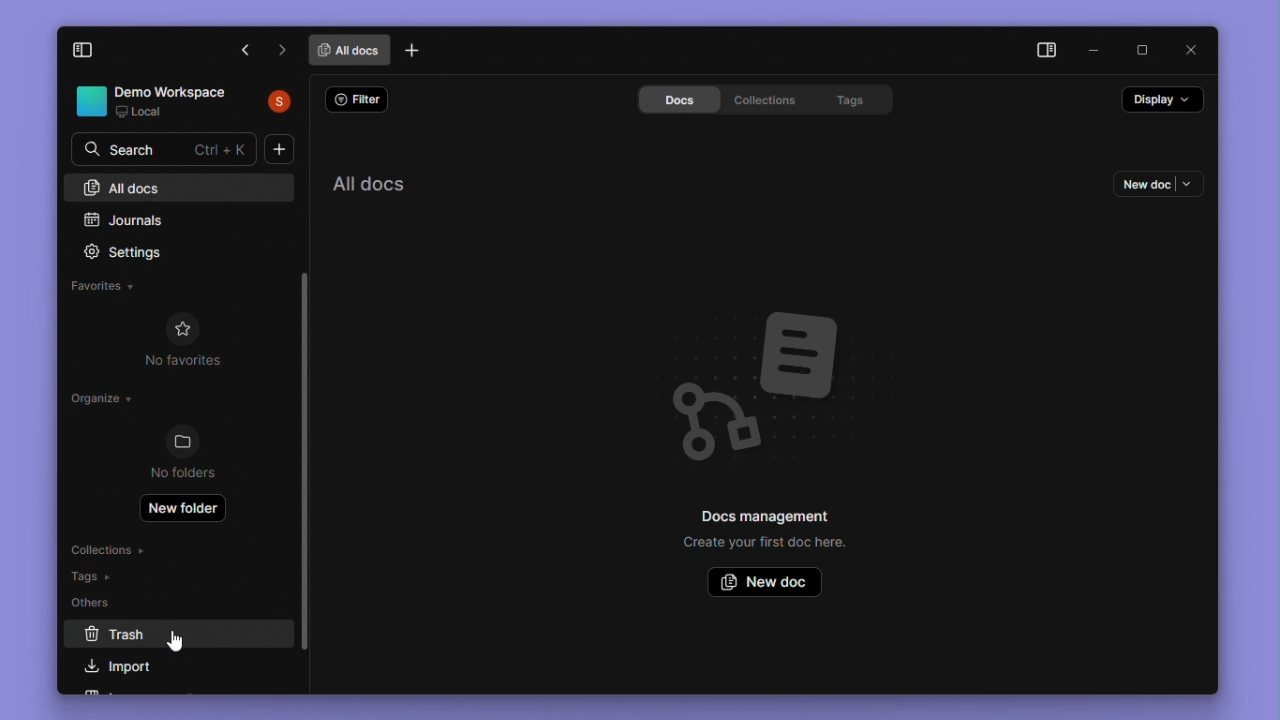 The image size is (1280, 720). Describe the element at coordinates (674, 101) in the screenshot. I see `Docs` at that location.